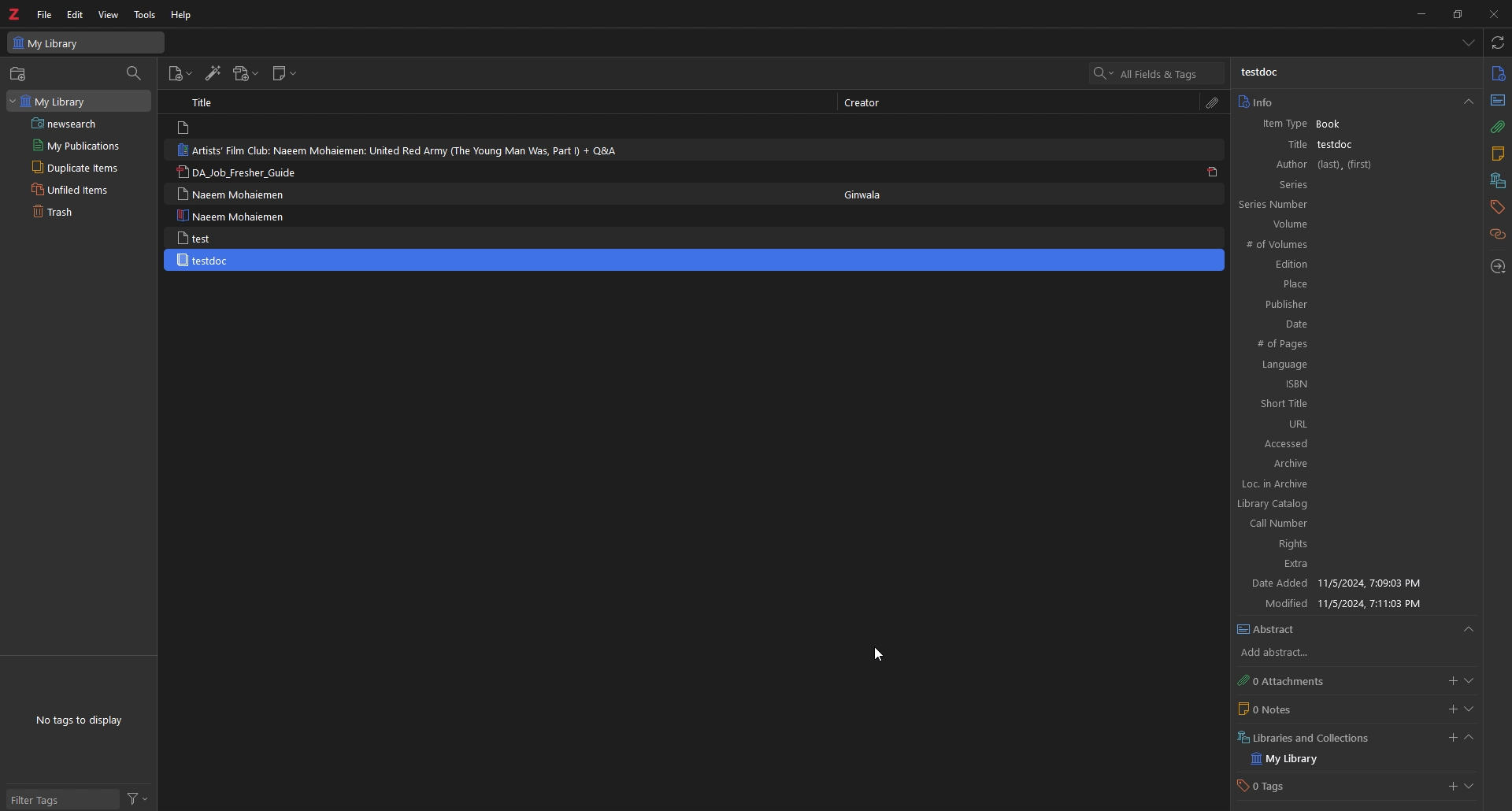  What do you see at coordinates (1342, 502) in the screenshot?
I see `Library Catalog` at bounding box center [1342, 502].